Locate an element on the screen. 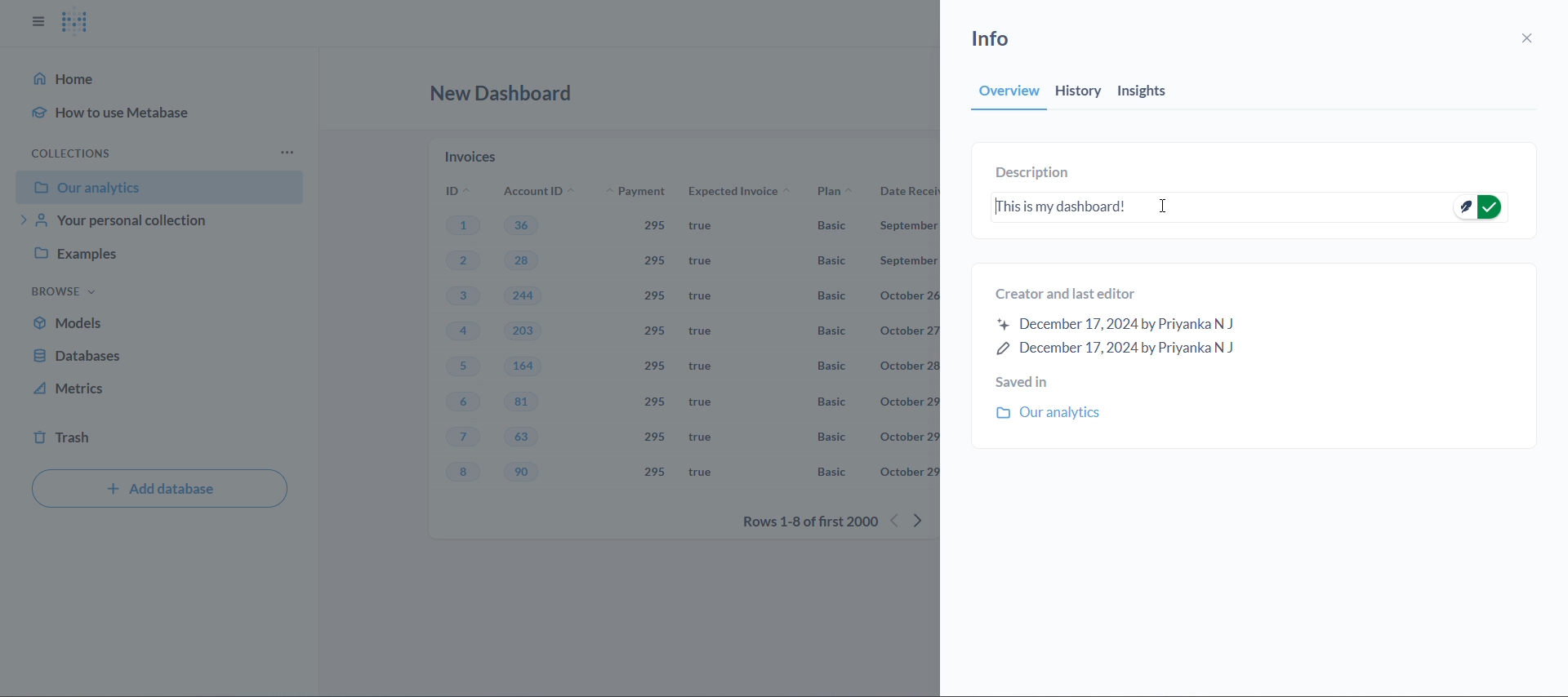 The image size is (1568, 697). 203 is located at coordinates (526, 332).